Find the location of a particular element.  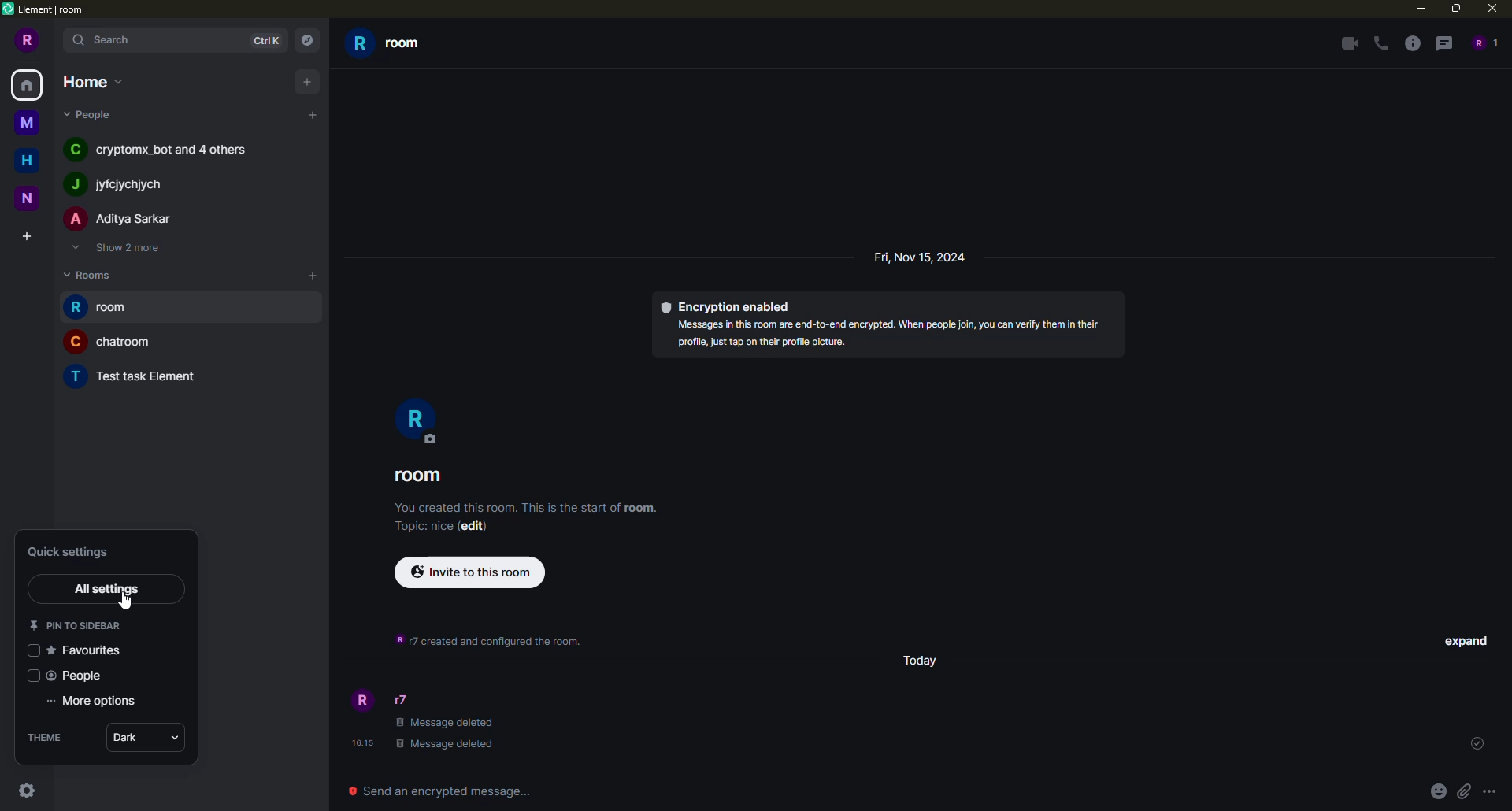

sent is located at coordinates (1474, 744).